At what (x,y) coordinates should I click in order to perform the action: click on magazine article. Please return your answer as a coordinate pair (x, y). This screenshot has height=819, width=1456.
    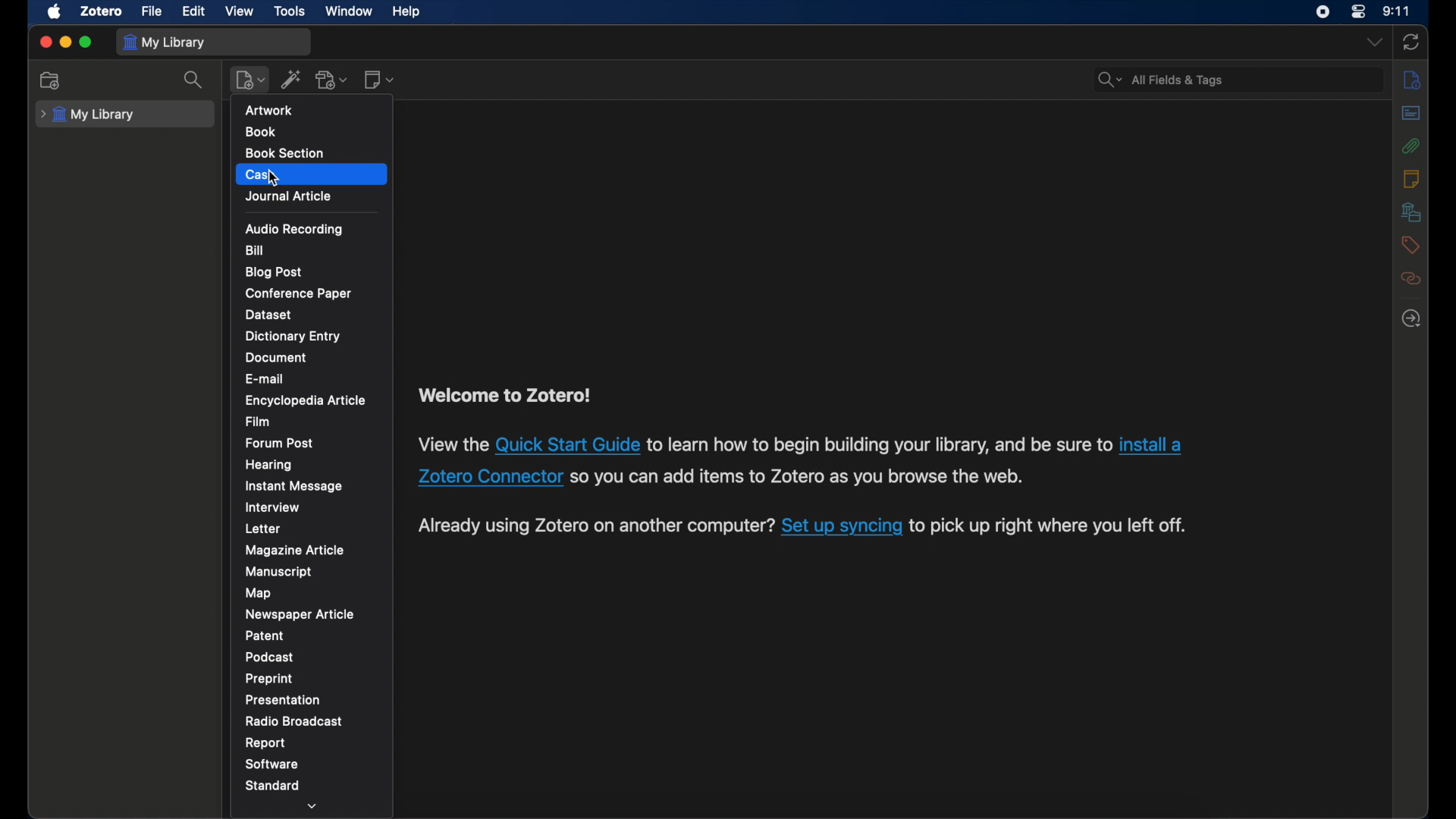
    Looking at the image, I should click on (296, 550).